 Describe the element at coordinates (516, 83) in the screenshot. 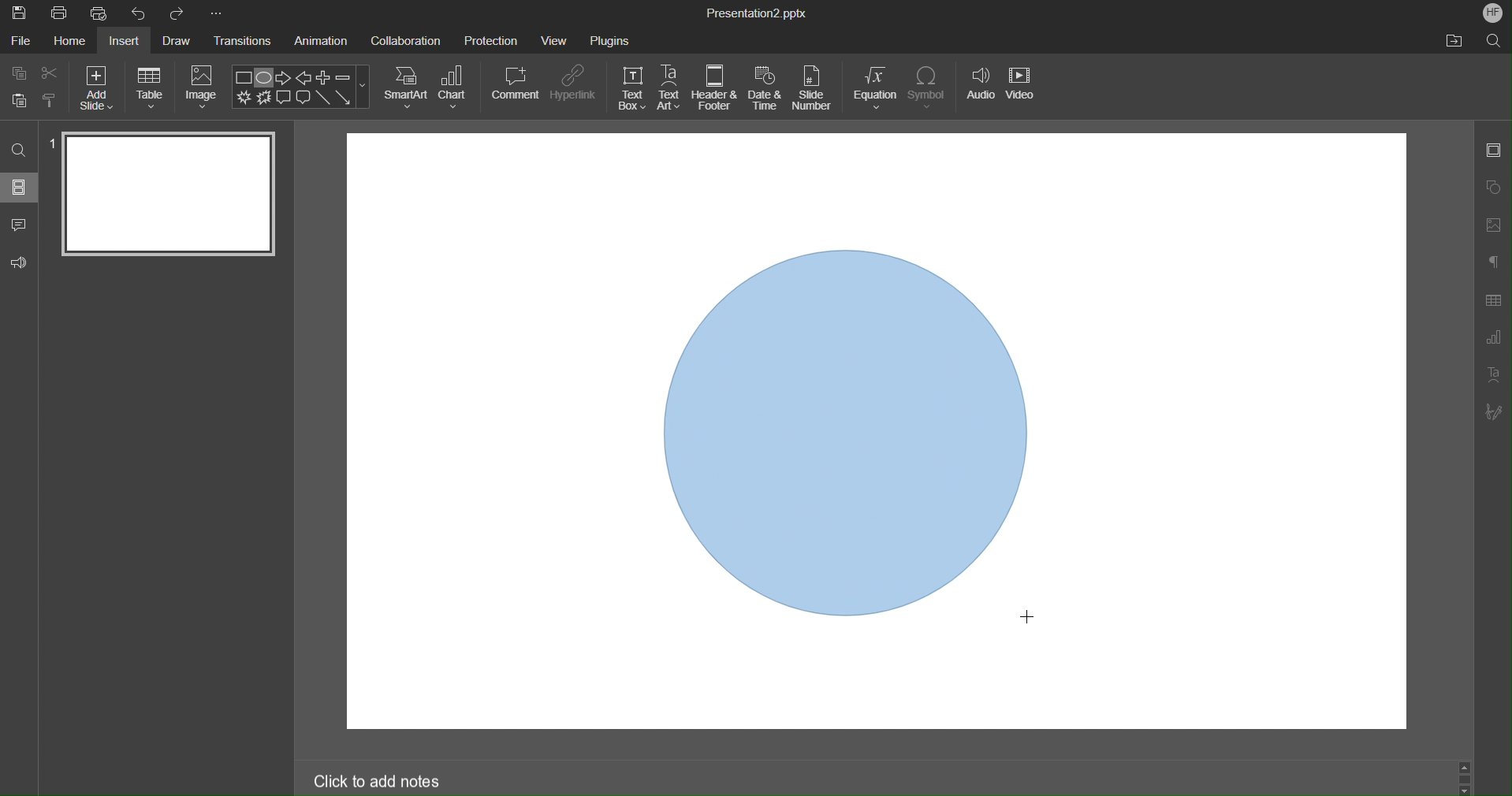

I see `Comment` at that location.